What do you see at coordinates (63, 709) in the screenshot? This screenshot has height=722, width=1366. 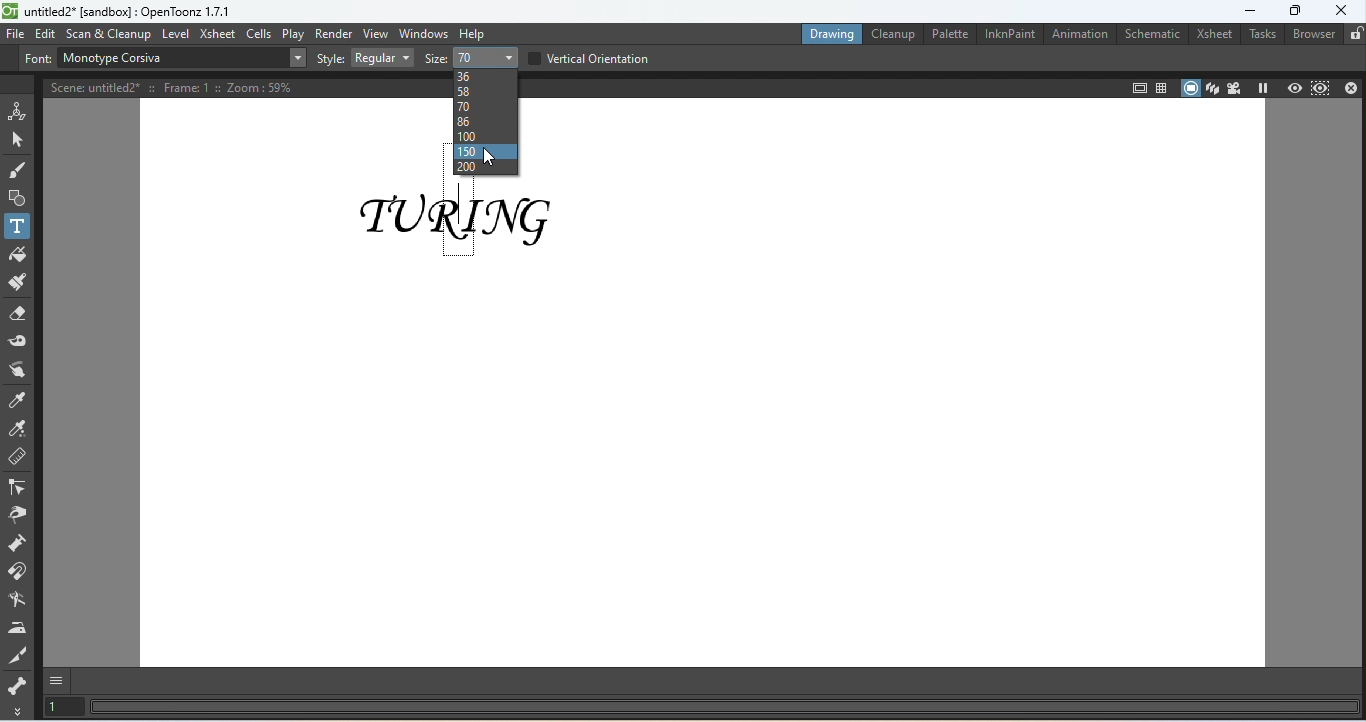 I see `Set the current frame` at bounding box center [63, 709].